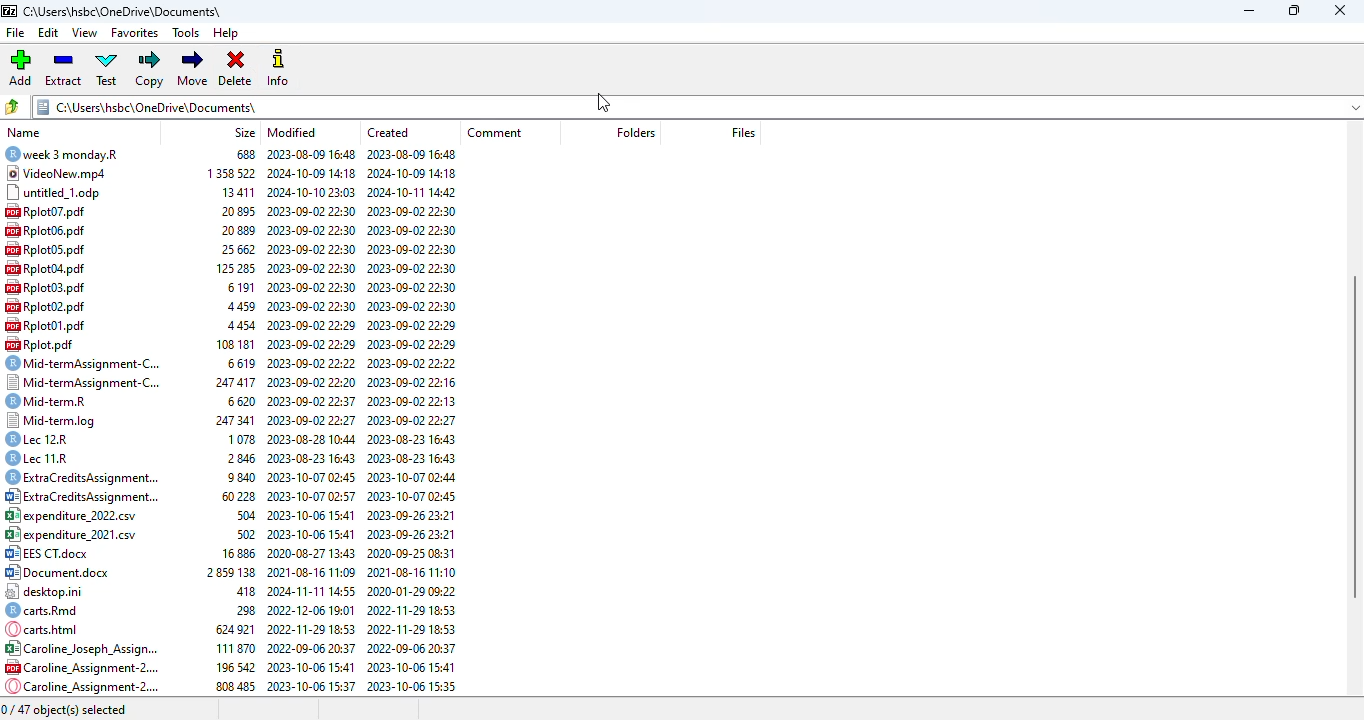 The height and width of the screenshot is (720, 1364). I want to click on lec 12r, so click(47, 439).